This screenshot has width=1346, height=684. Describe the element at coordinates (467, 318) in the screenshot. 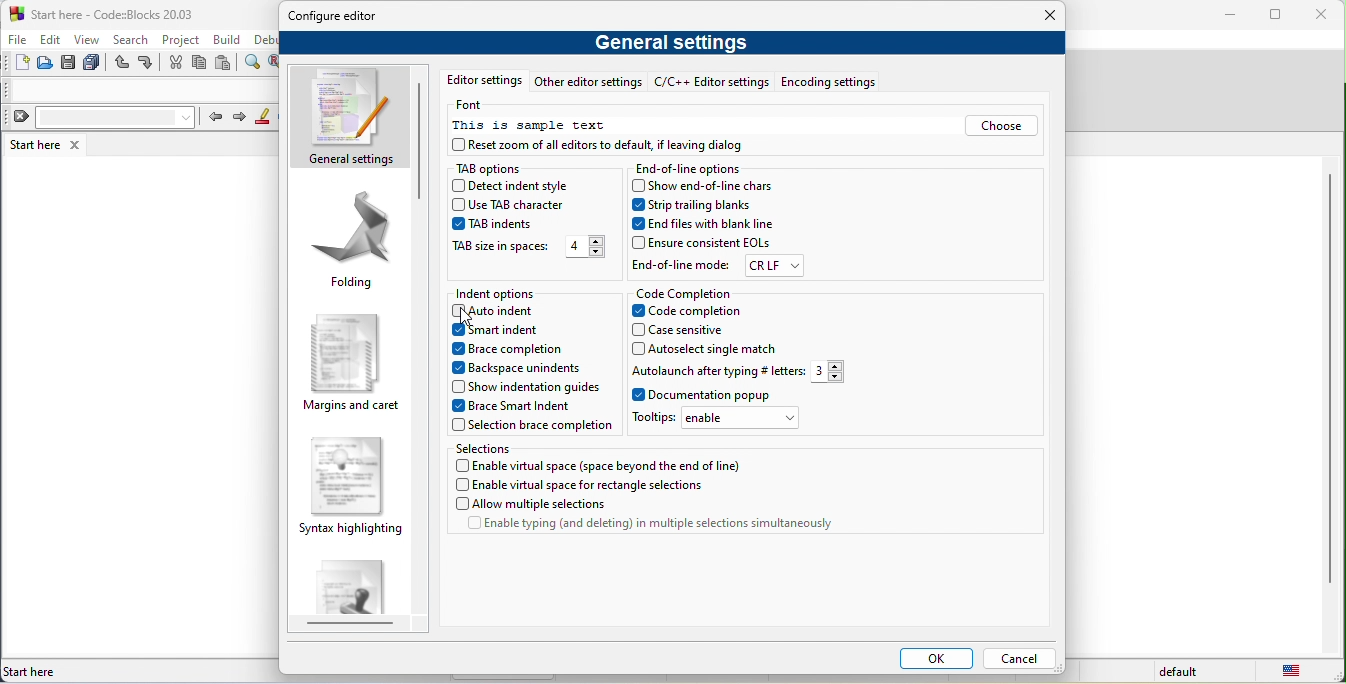

I see `cursor movement` at that location.